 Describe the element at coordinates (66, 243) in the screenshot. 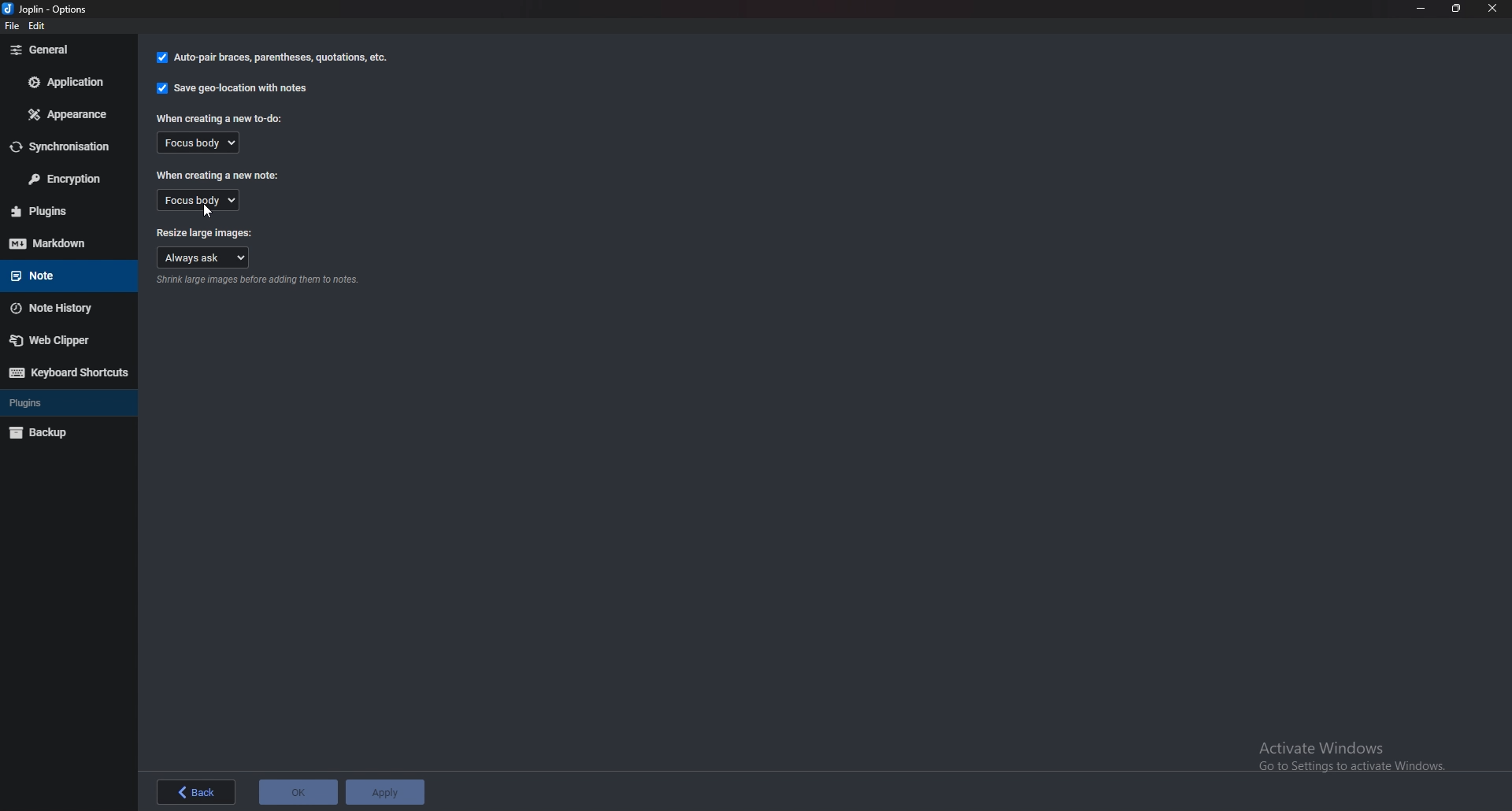

I see `mark down` at that location.